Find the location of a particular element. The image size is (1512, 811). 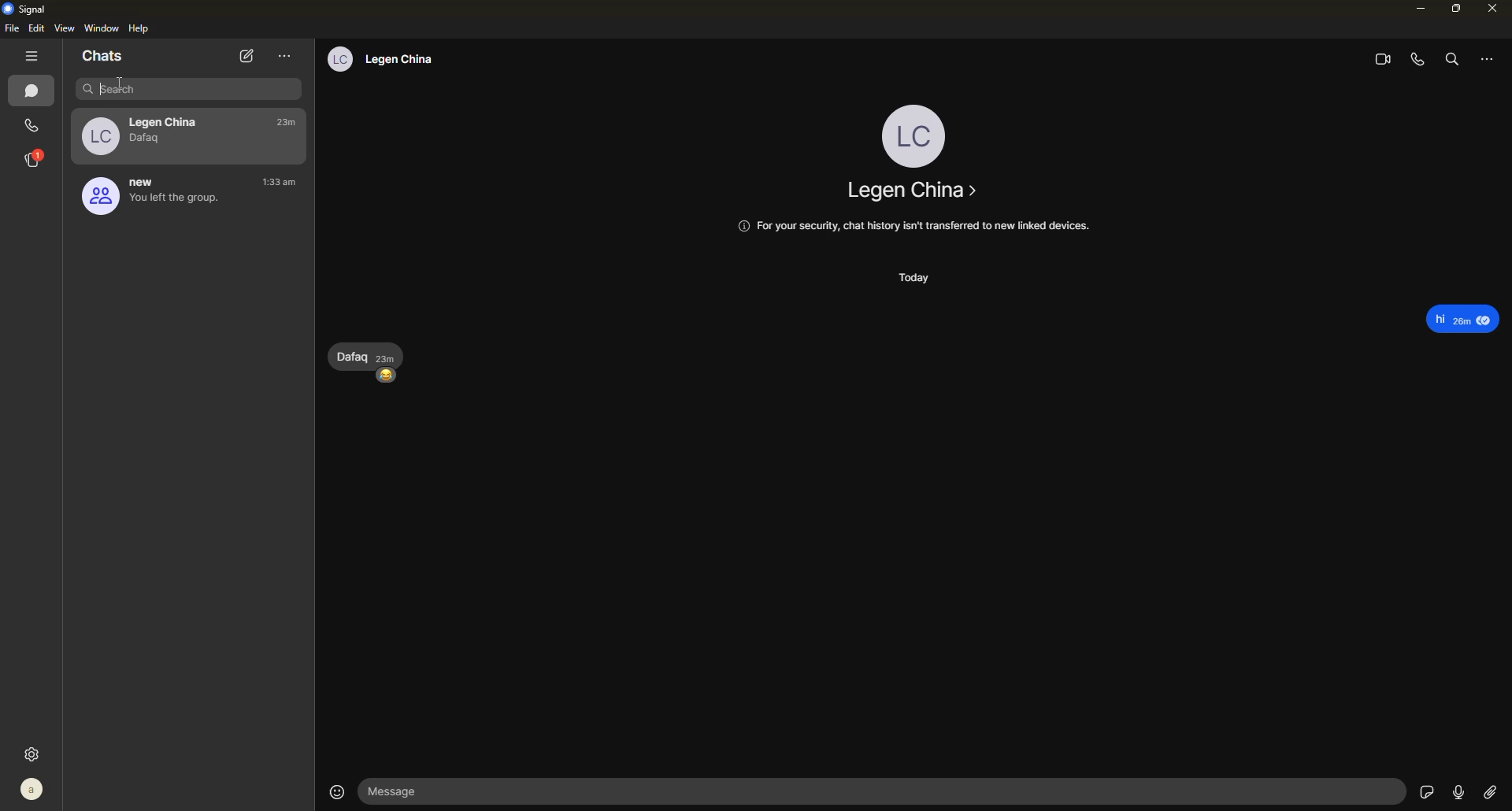

profile is located at coordinates (98, 198).